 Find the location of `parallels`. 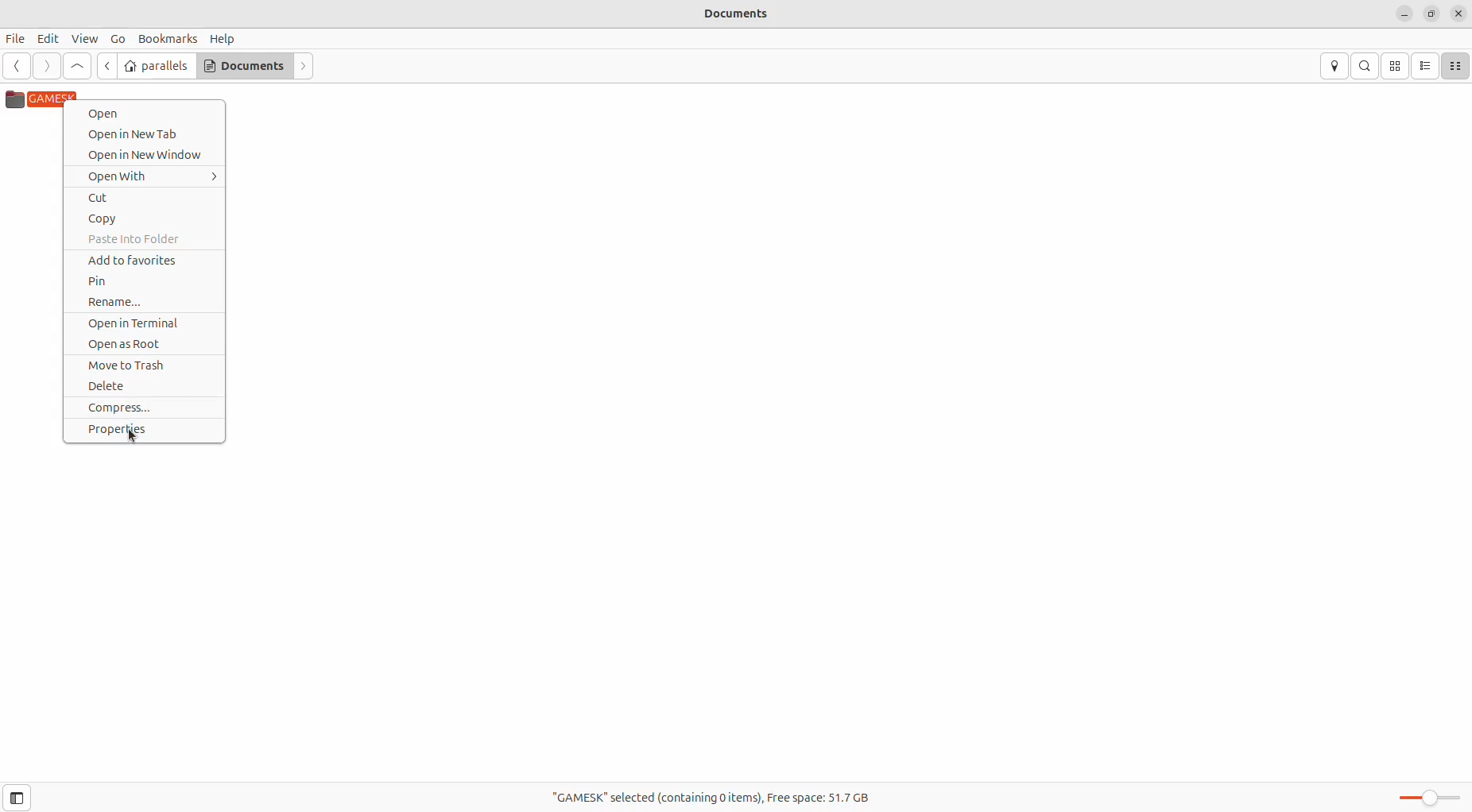

parallels is located at coordinates (157, 66).